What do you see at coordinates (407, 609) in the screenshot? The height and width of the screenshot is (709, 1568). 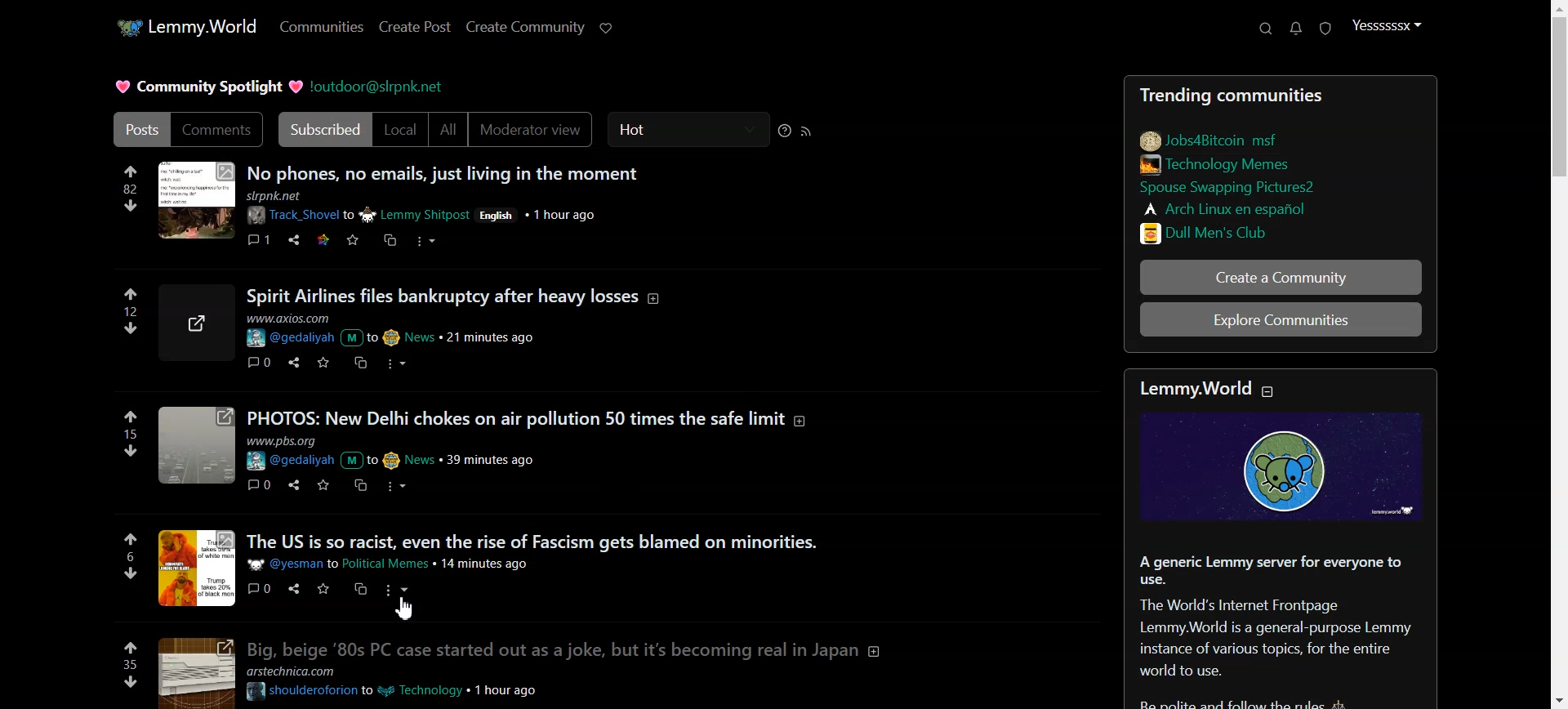 I see `Cursor` at bounding box center [407, 609].